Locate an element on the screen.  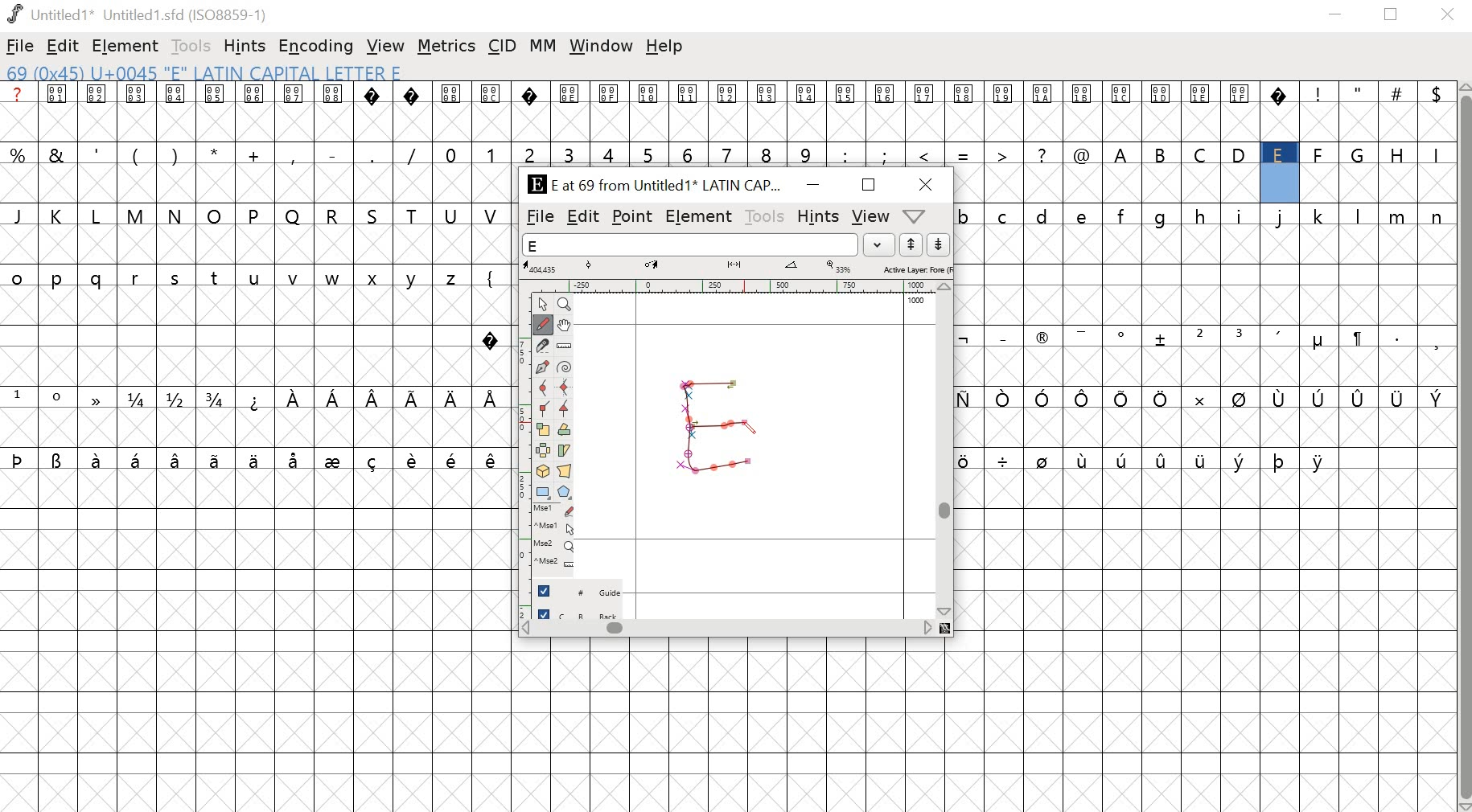
empty cells is located at coordinates (726, 124).